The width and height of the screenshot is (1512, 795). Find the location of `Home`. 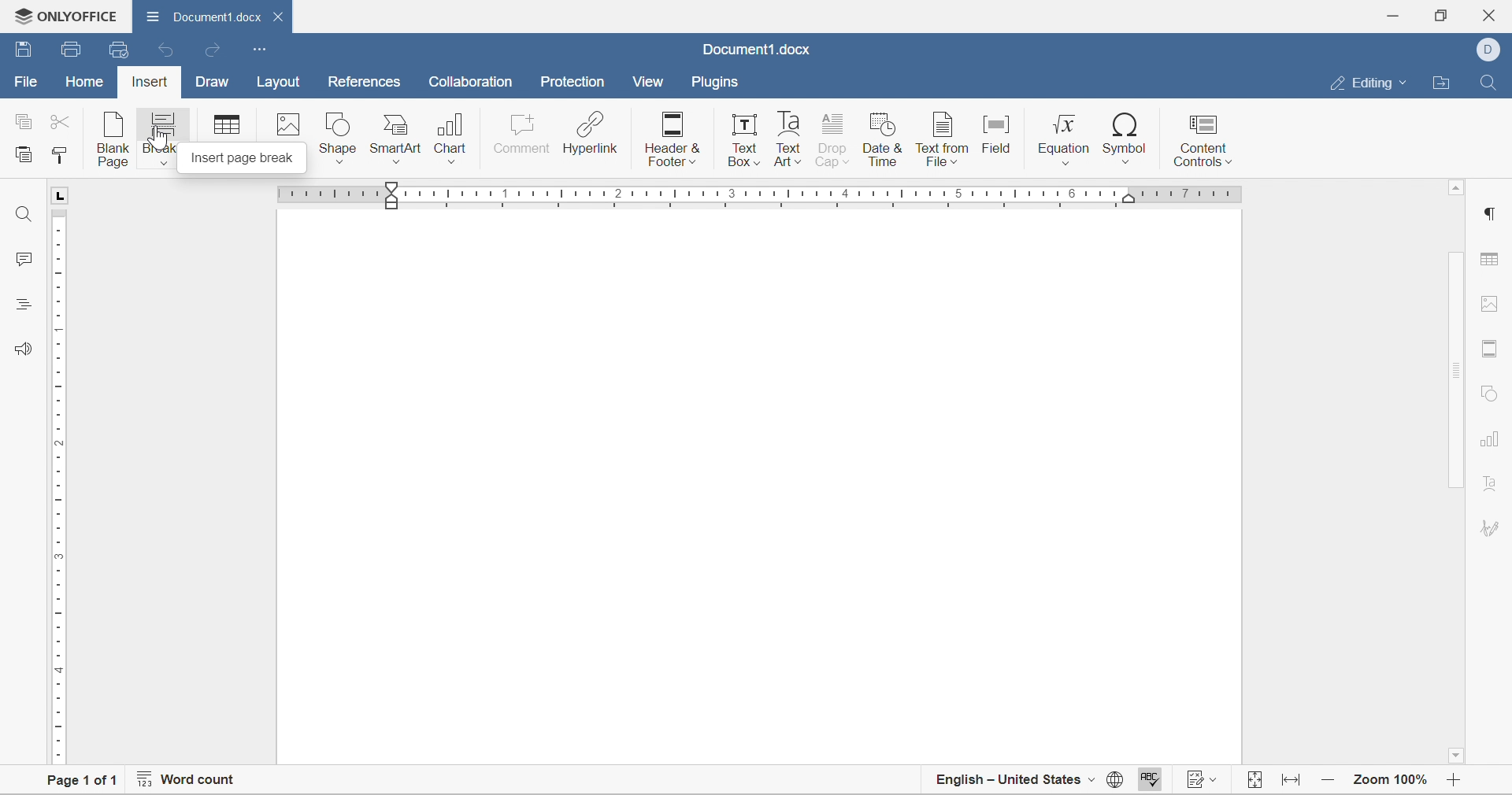

Home is located at coordinates (83, 84).